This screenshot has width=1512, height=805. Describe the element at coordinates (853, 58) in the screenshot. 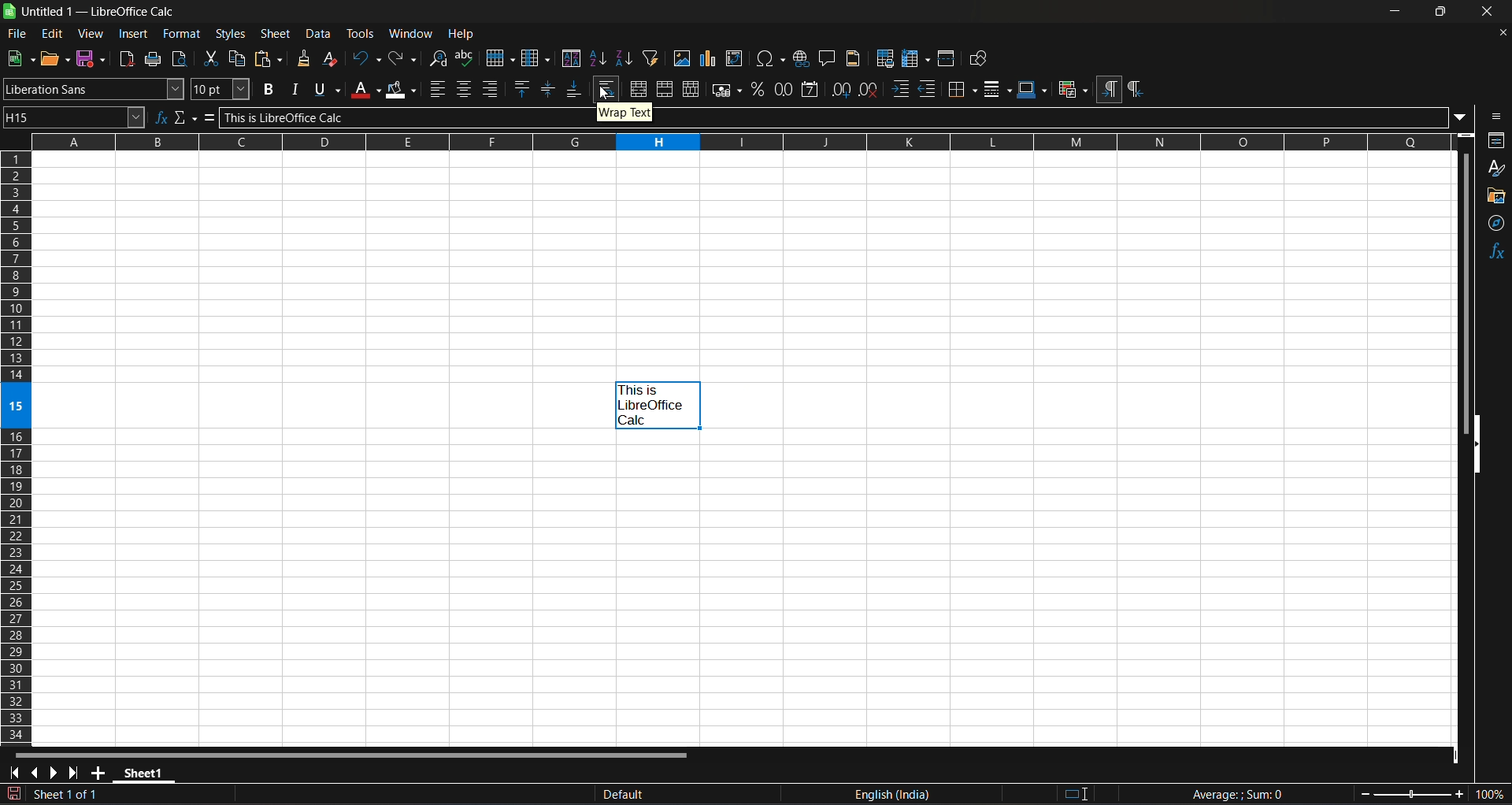

I see `headers and footers` at that location.